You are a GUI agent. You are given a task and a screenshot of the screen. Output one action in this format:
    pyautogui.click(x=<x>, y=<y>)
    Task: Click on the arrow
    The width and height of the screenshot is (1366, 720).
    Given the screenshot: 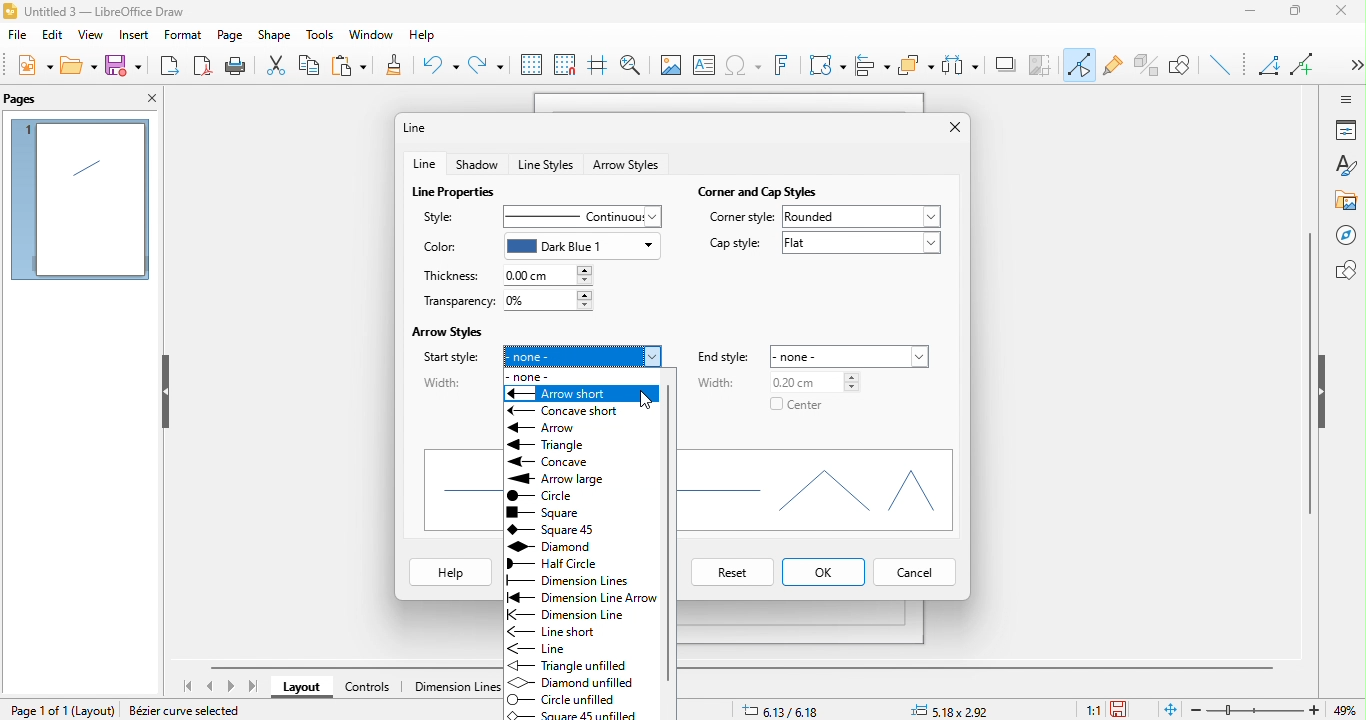 What is the action you would take?
    pyautogui.click(x=551, y=425)
    